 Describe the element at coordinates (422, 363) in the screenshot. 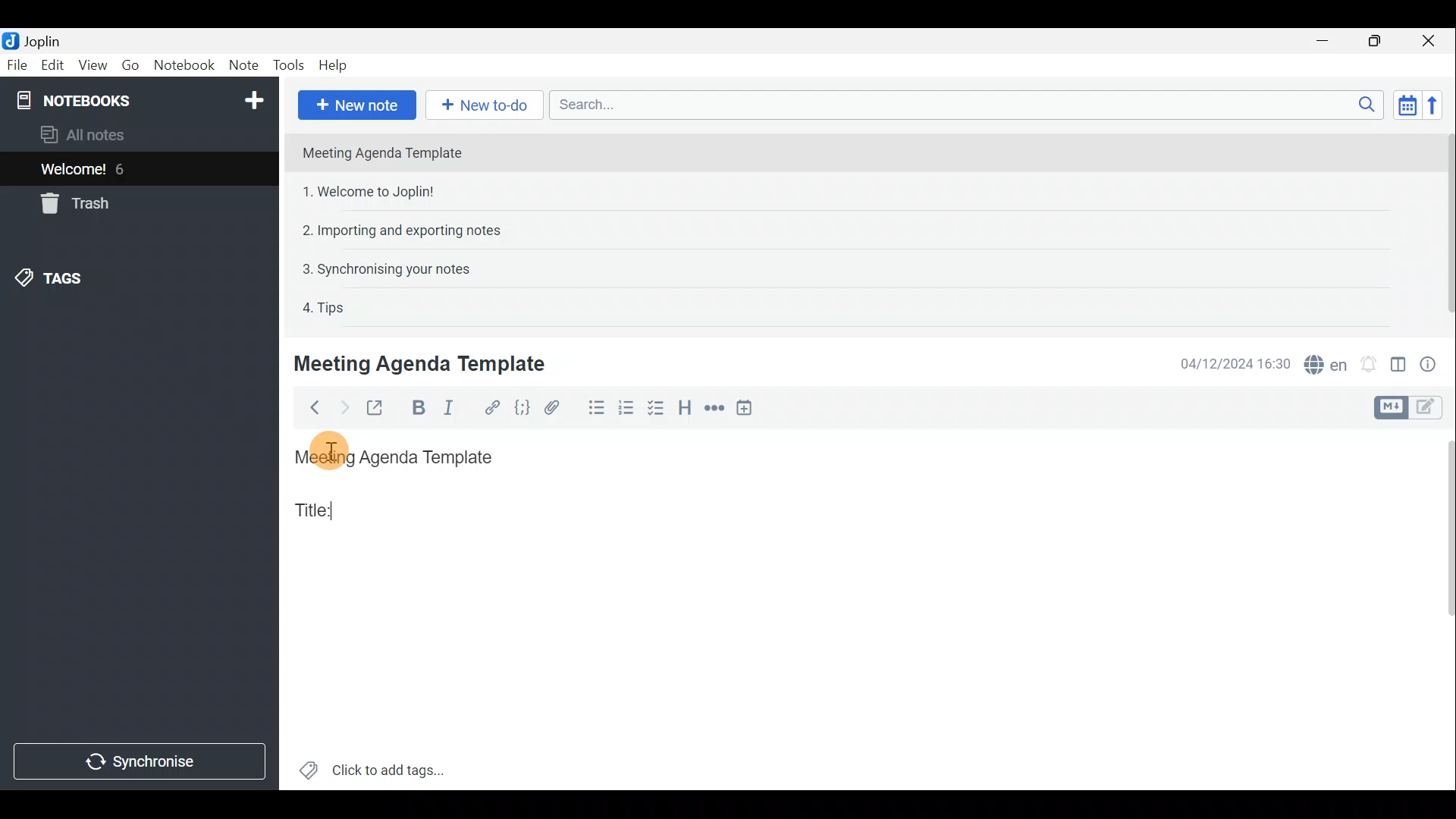

I see `Meeting Agenda Template` at that location.